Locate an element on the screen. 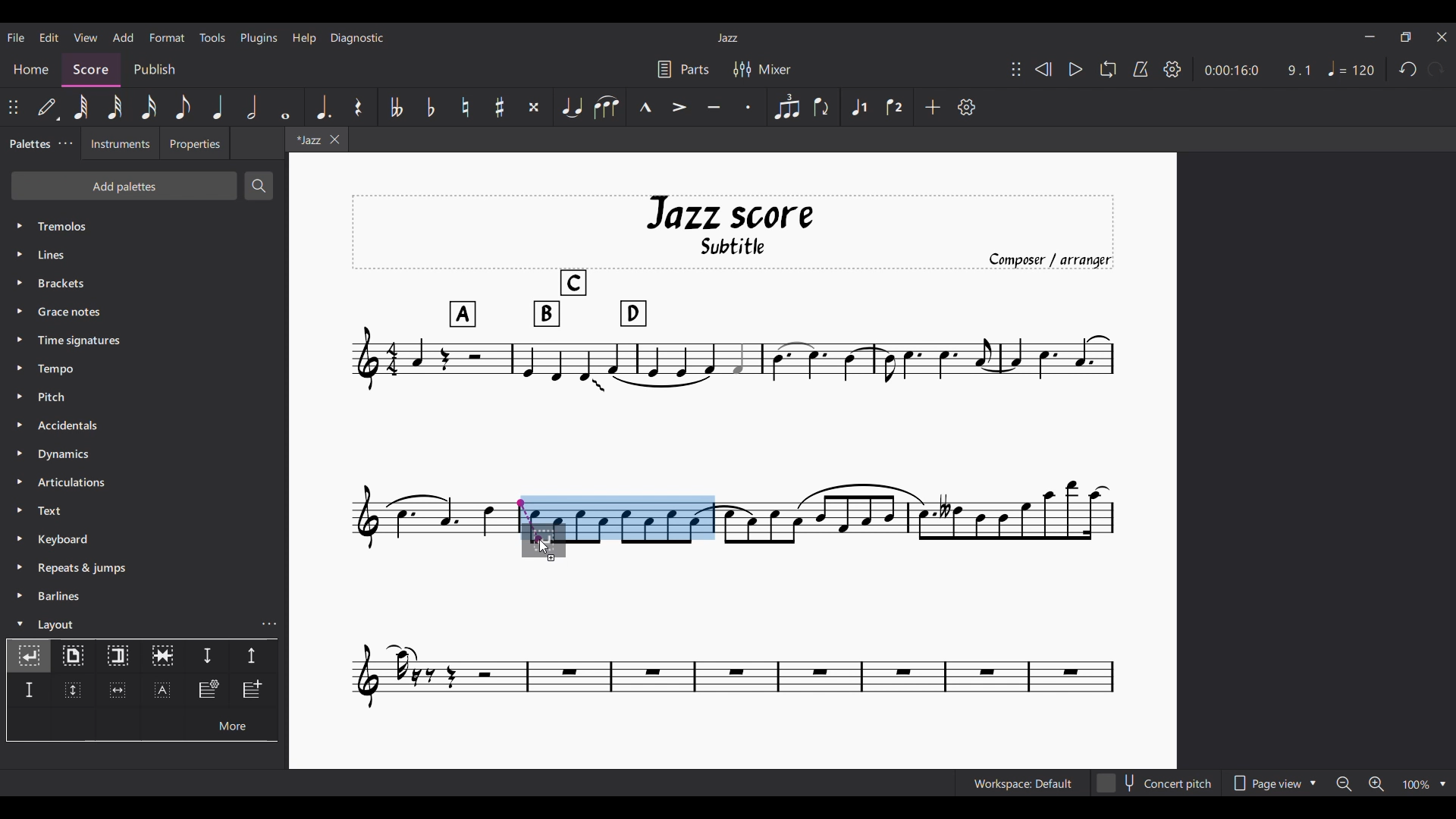 The height and width of the screenshot is (819, 1456). Add palettes is located at coordinates (124, 186).